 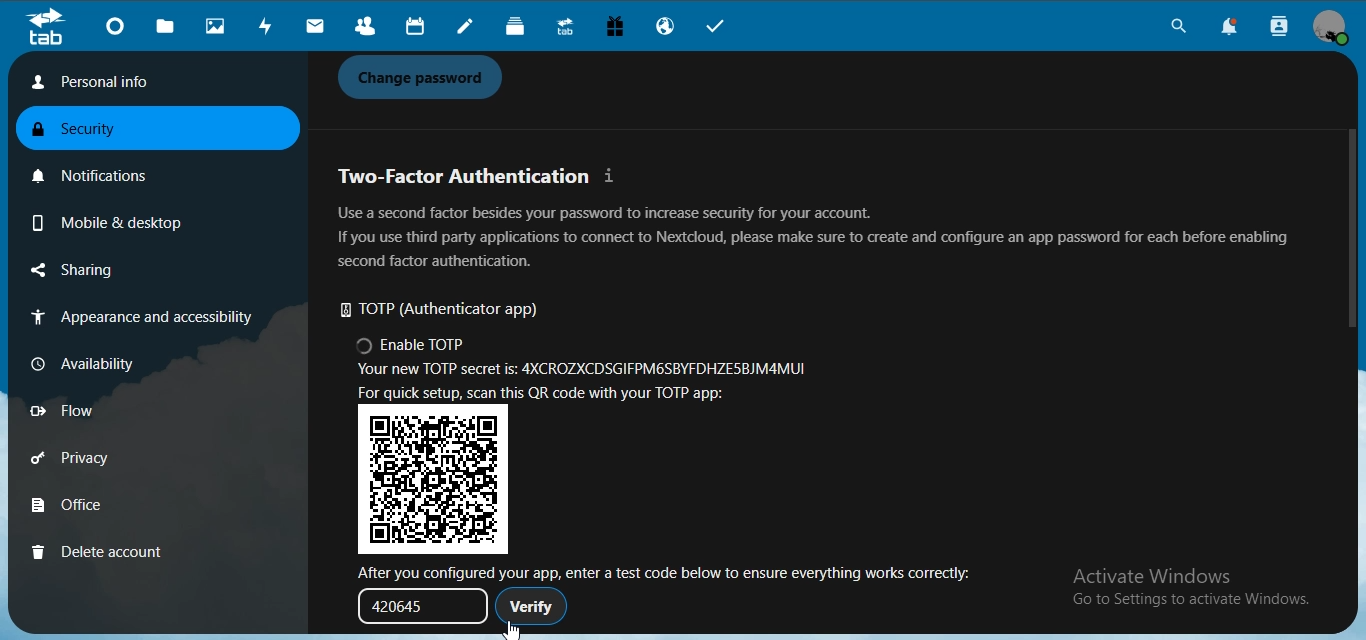 I want to click on Use a second factor besides your password to increase security for your account.
If you use third party applications to connect to Nextcloud, please make sure to create and configure an app password for each before enabling
second factor authentication., so click(x=813, y=237).